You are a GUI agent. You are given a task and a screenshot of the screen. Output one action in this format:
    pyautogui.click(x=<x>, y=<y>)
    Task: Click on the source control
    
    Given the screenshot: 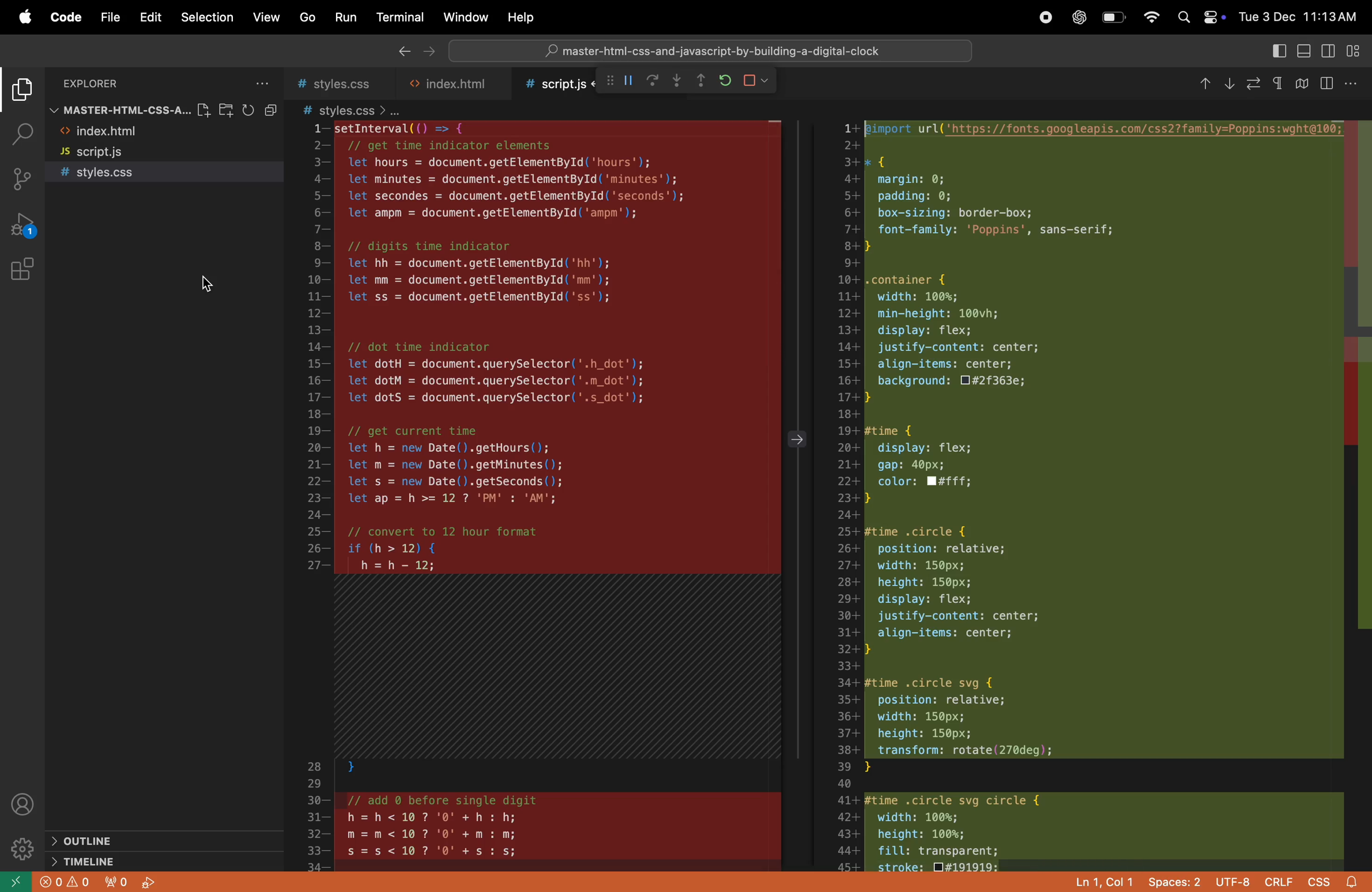 What is the action you would take?
    pyautogui.click(x=22, y=179)
    